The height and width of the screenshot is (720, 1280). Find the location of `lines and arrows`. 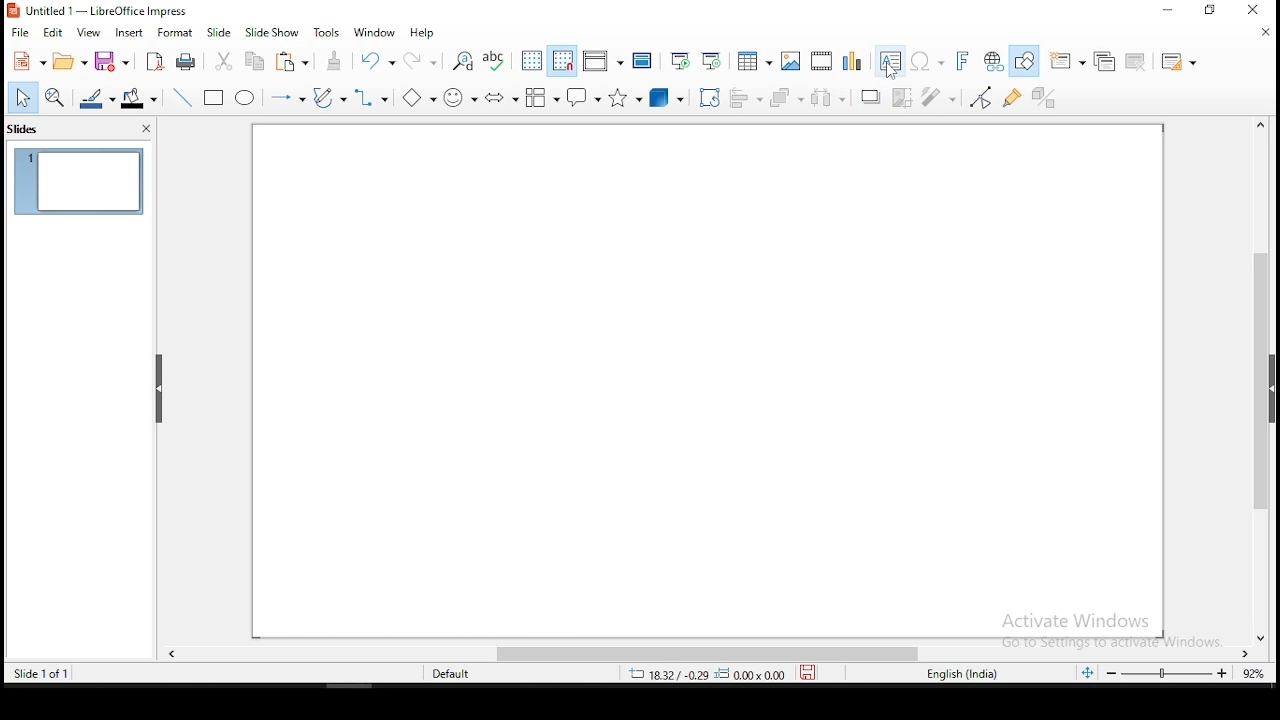

lines and arrows is located at coordinates (290, 98).